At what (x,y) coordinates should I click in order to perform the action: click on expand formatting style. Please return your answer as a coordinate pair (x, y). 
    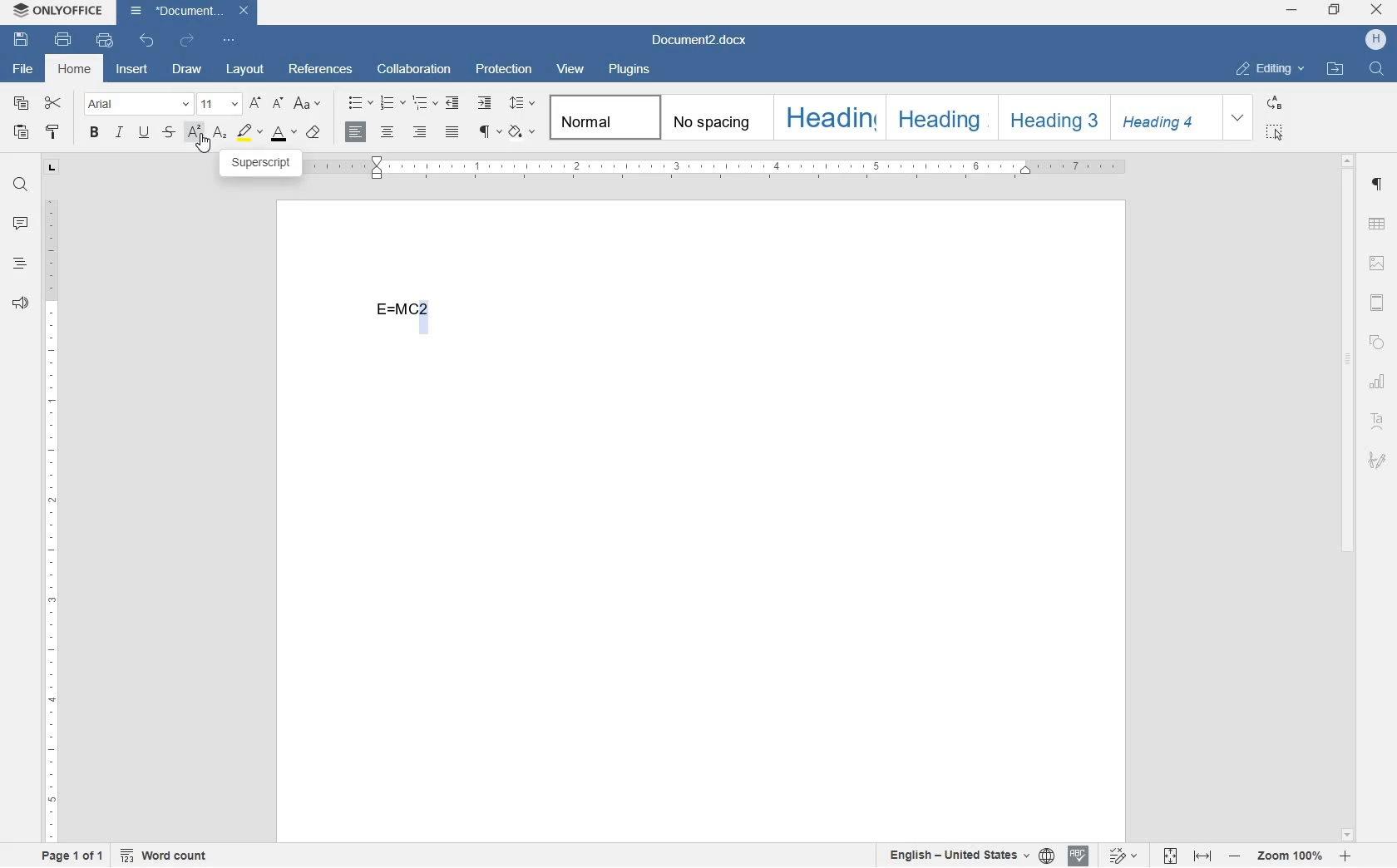
    Looking at the image, I should click on (1238, 117).